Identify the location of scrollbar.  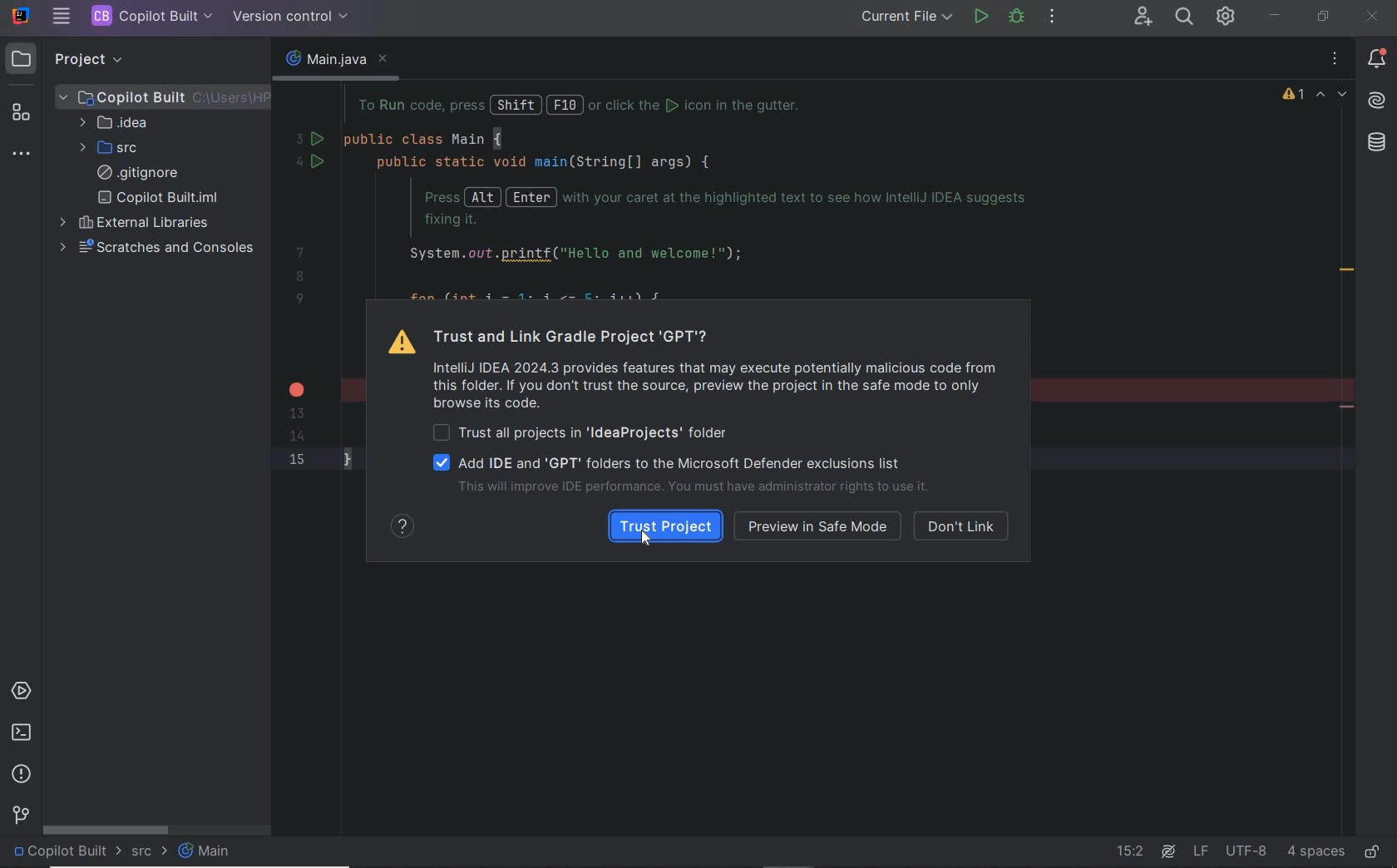
(105, 828).